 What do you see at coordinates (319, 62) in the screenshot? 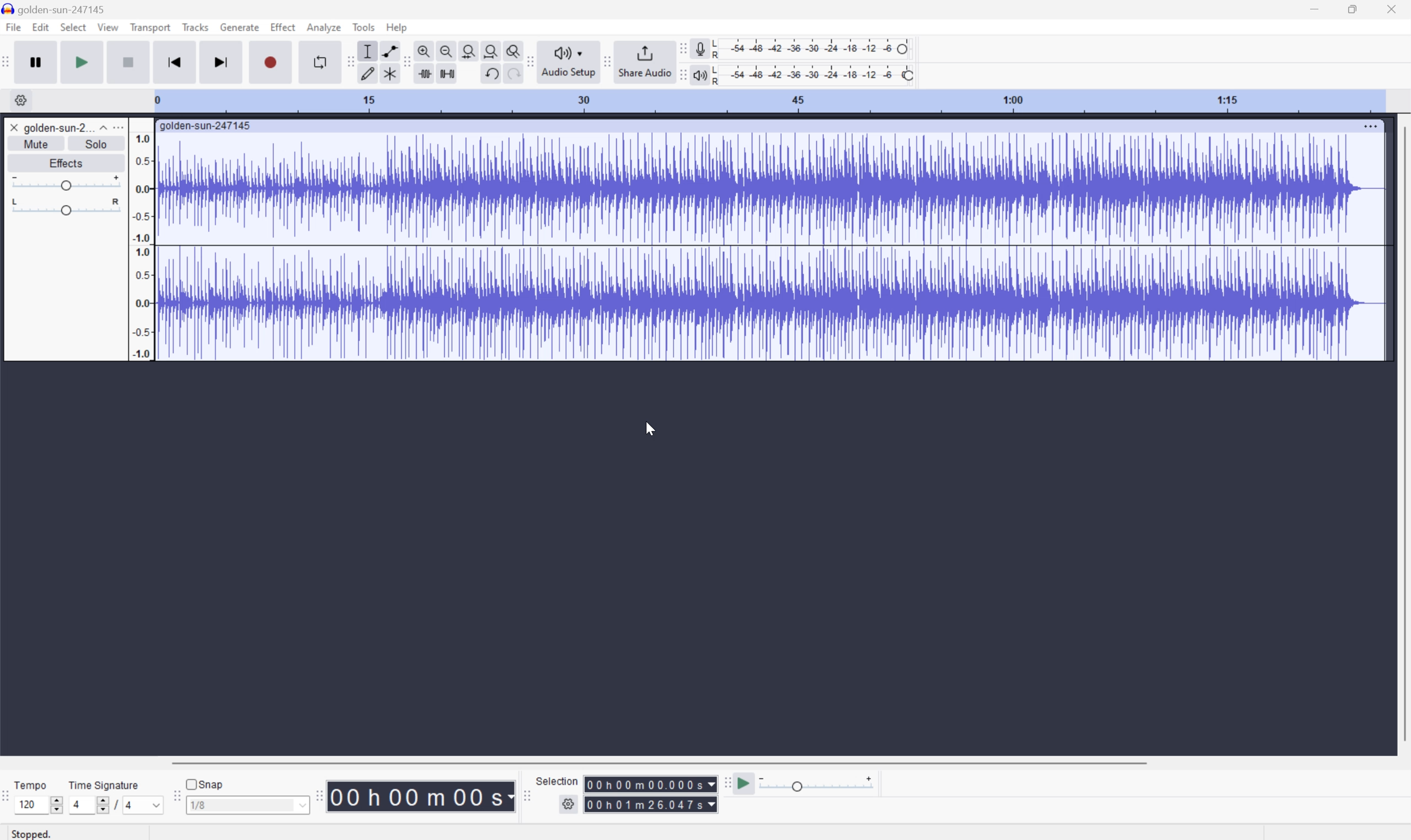
I see `Enable looping` at bounding box center [319, 62].